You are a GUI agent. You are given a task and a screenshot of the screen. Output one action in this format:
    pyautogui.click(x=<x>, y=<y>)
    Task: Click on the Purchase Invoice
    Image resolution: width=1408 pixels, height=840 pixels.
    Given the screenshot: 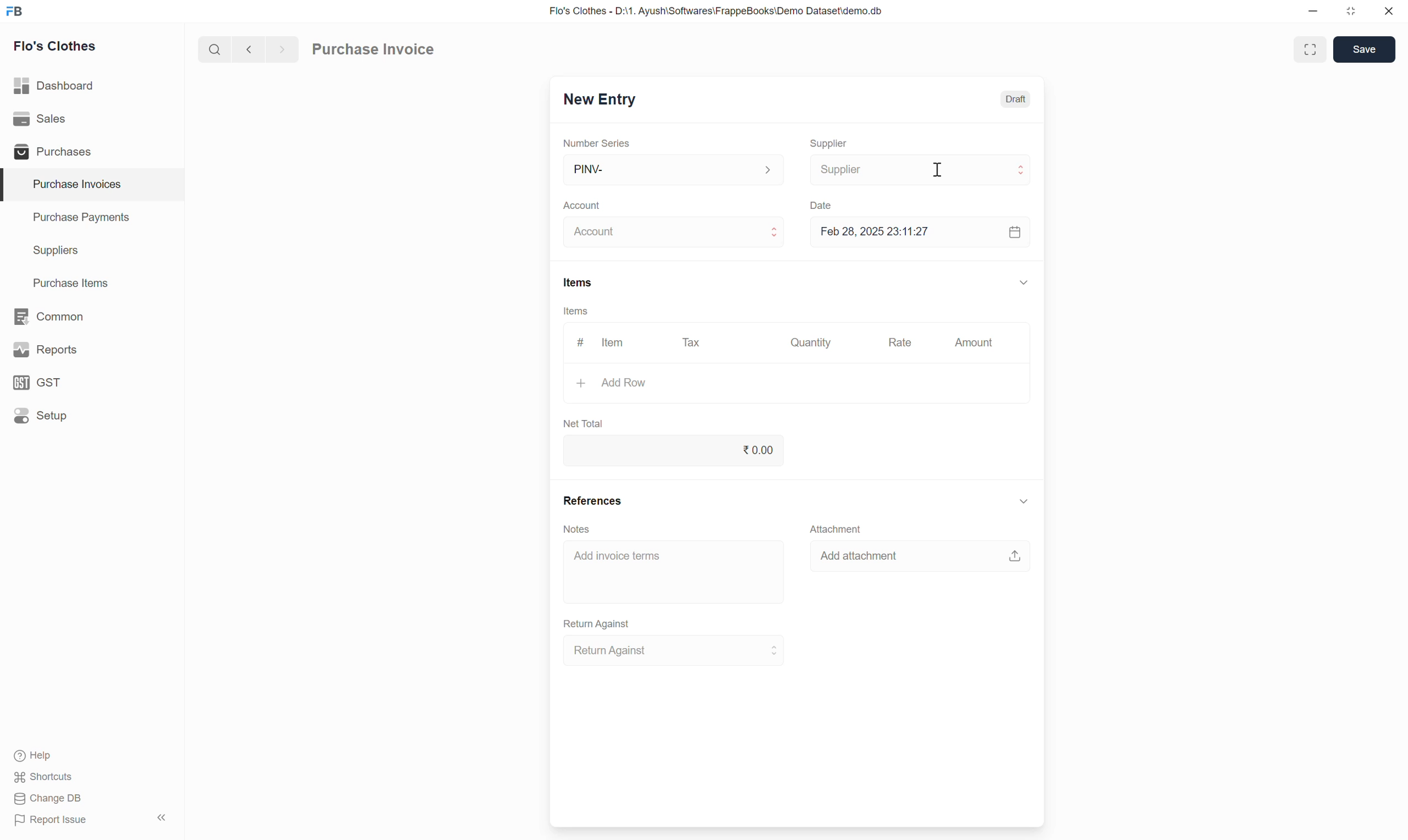 What is the action you would take?
    pyautogui.click(x=373, y=48)
    